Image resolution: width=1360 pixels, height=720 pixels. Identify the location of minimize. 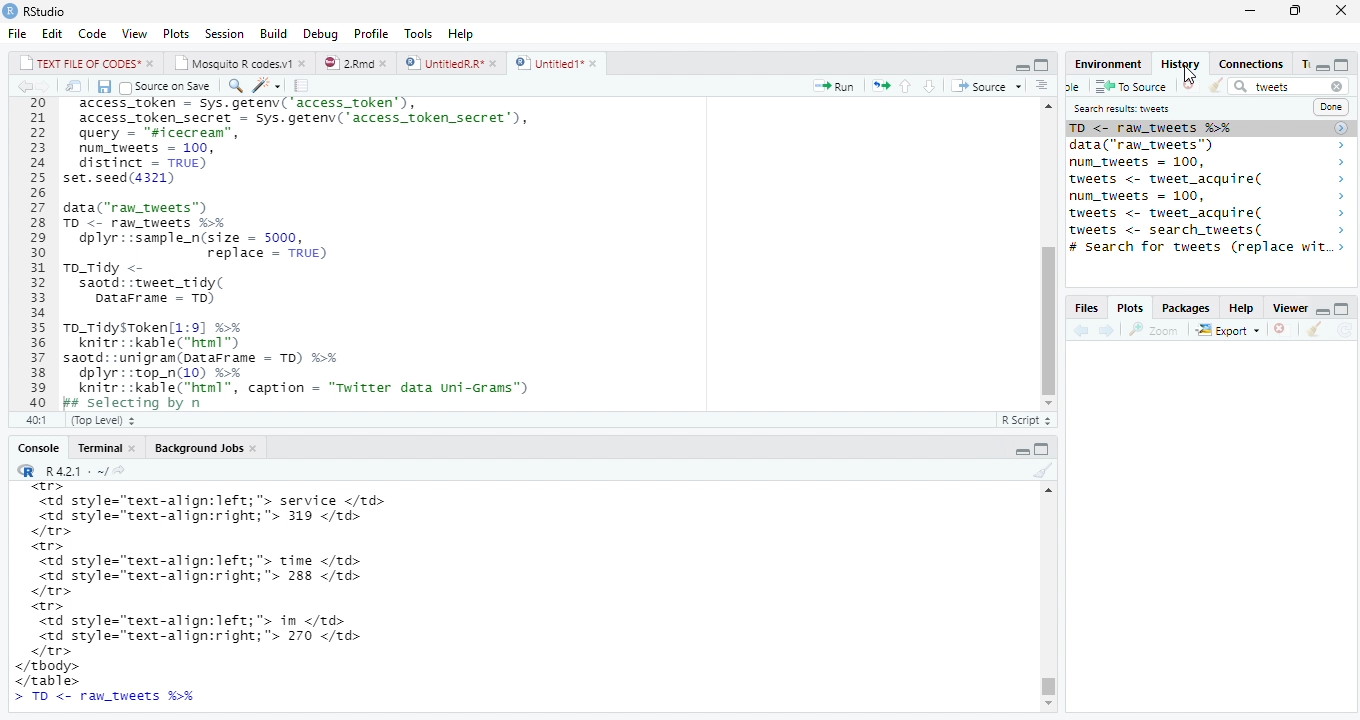
(1252, 11).